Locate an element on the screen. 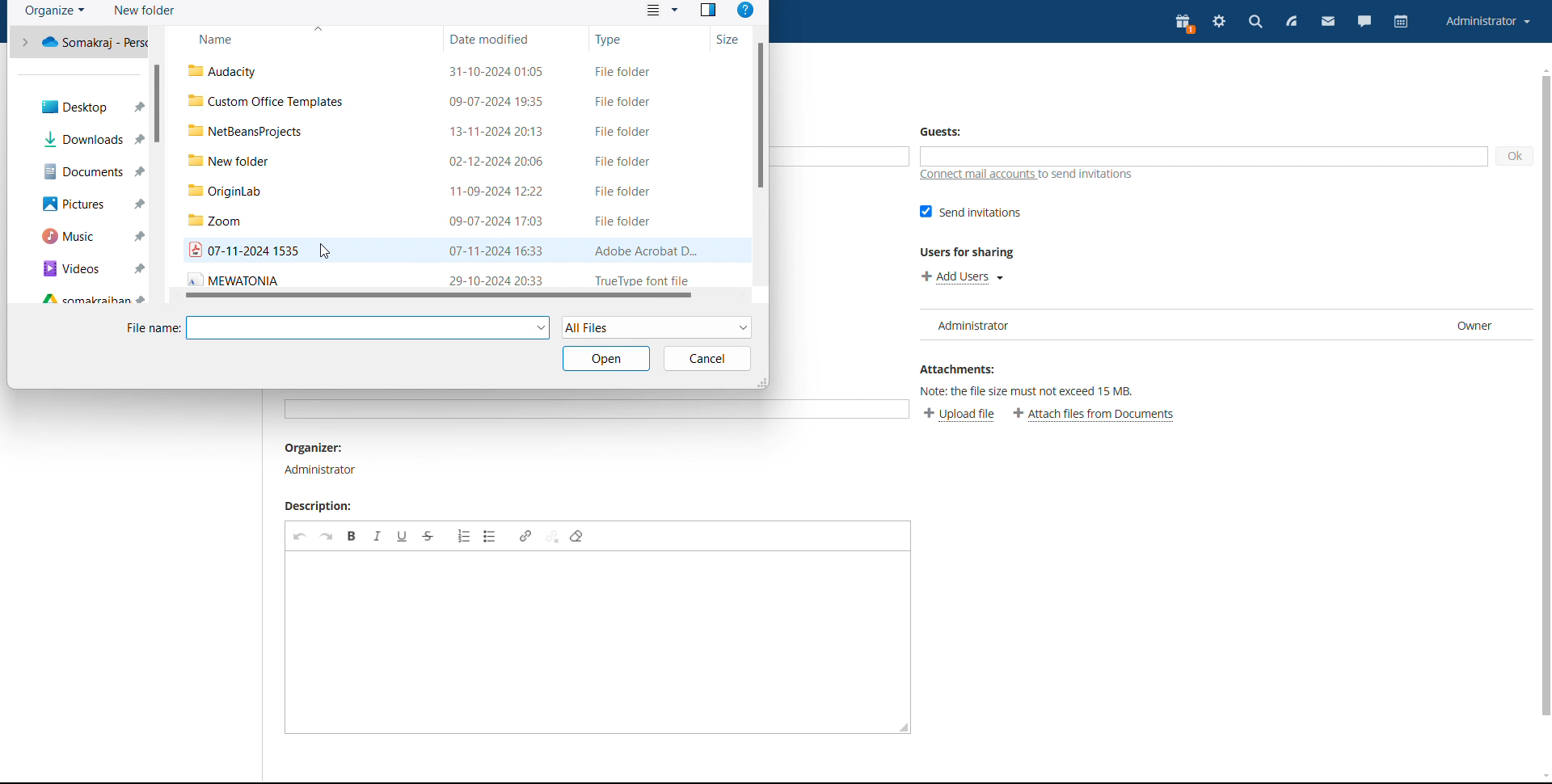  remove format is located at coordinates (576, 537).